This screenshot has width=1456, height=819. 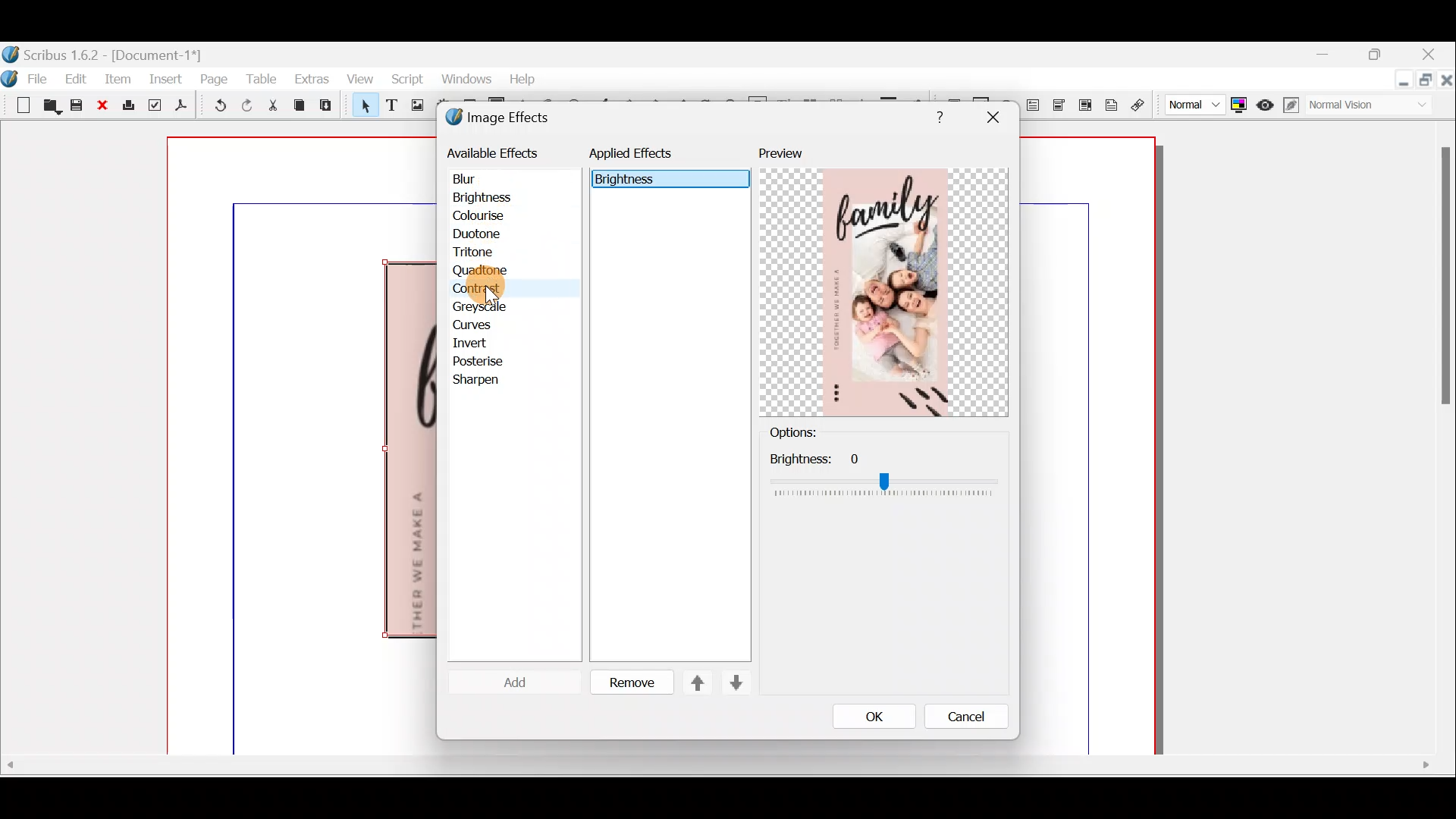 I want to click on Print, so click(x=130, y=106).